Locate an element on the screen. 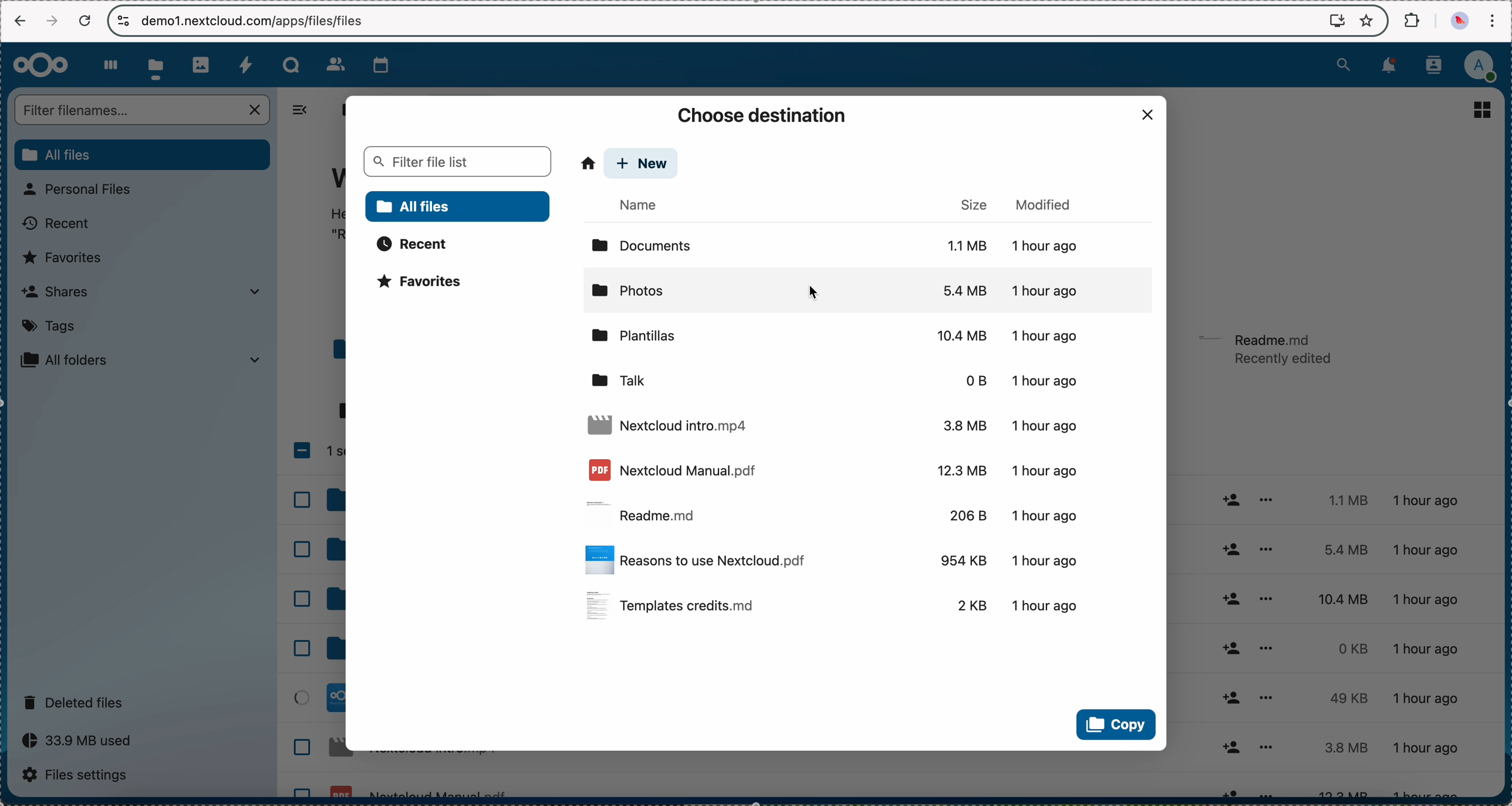 This screenshot has width=1512, height=806. templates is located at coordinates (849, 335).